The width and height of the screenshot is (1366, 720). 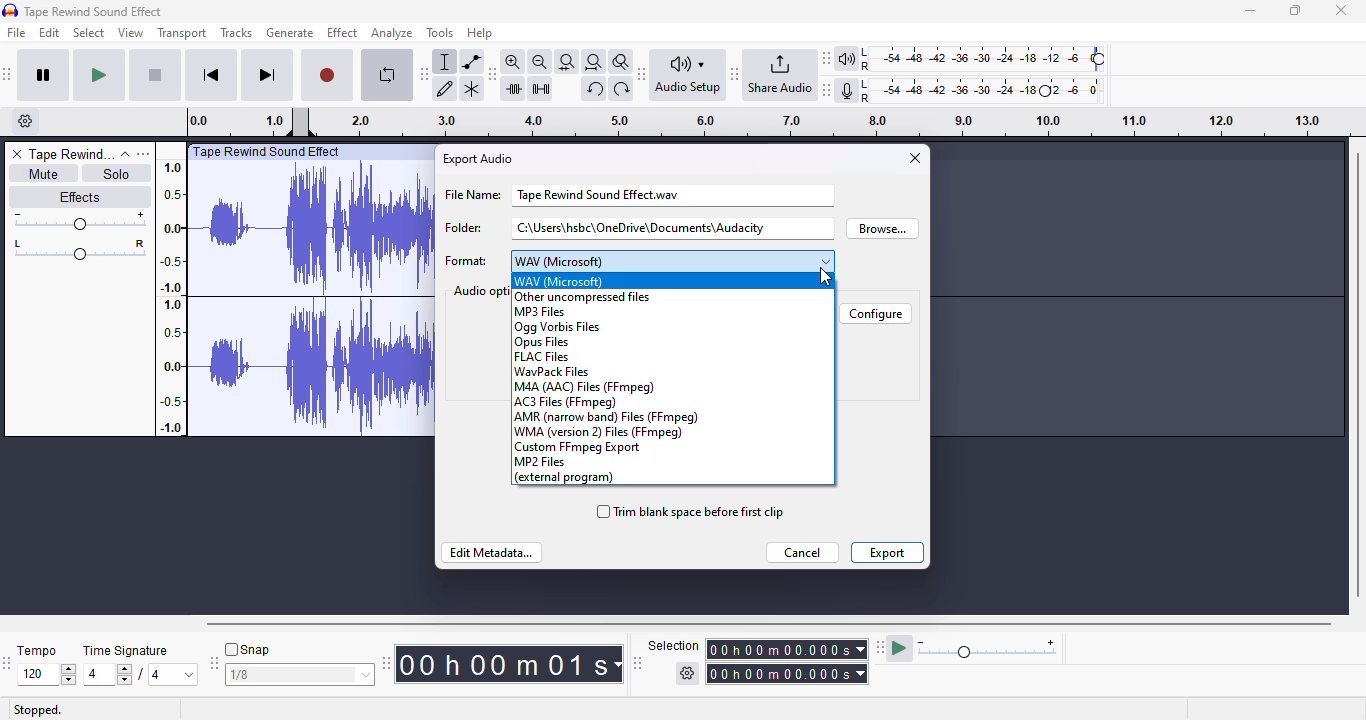 I want to click on draw tool, so click(x=446, y=88).